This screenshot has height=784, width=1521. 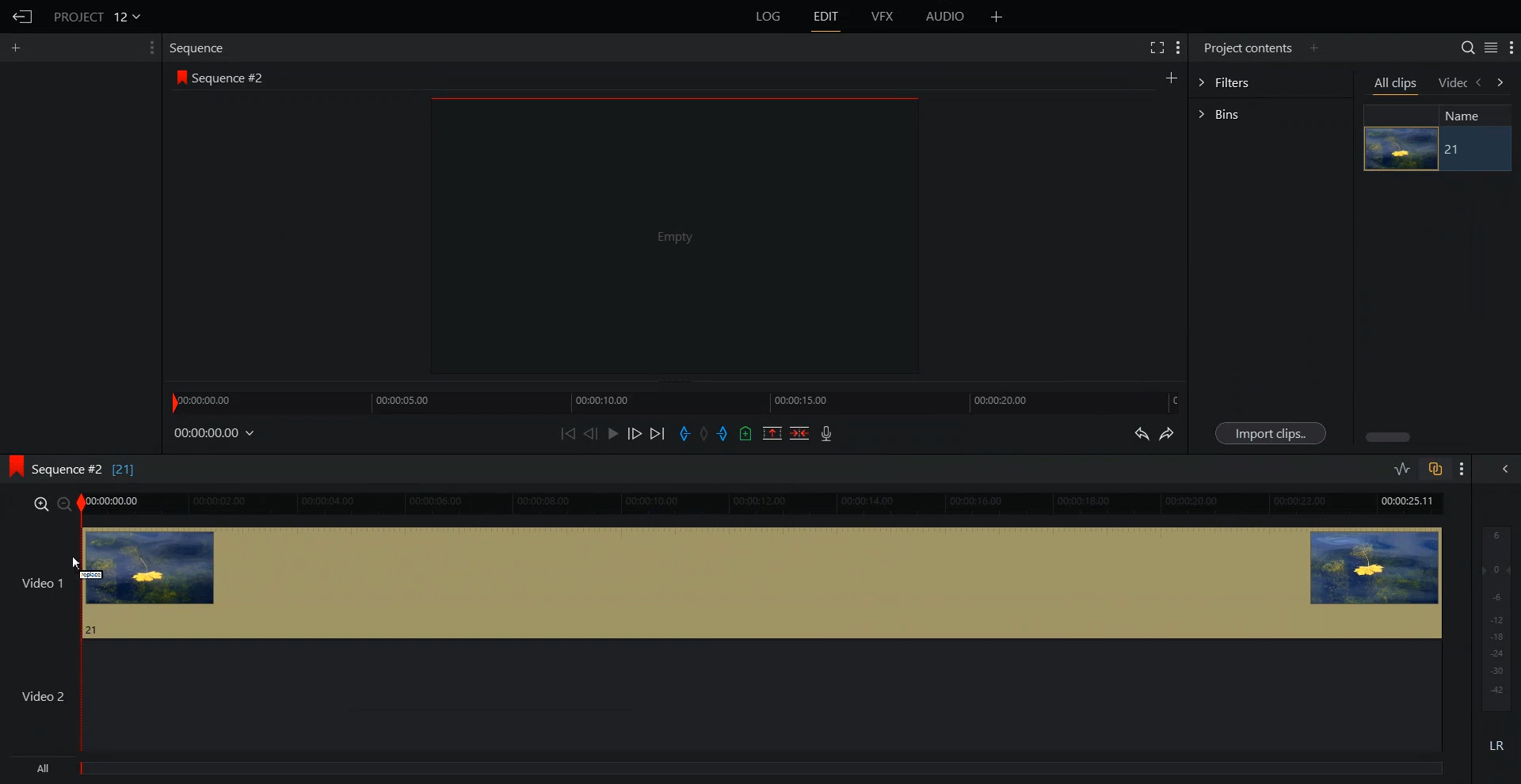 What do you see at coordinates (612, 433) in the screenshot?
I see `Play` at bounding box center [612, 433].